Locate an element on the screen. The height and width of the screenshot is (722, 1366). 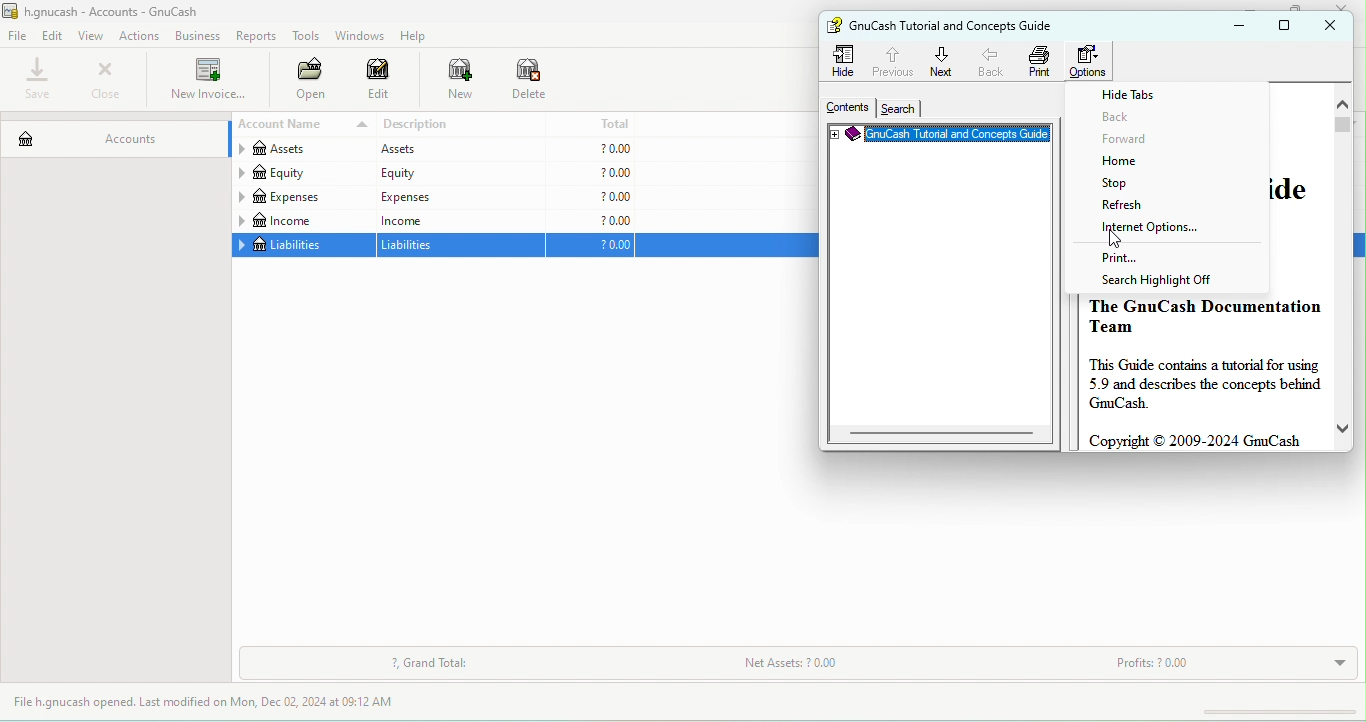
close is located at coordinates (105, 80).